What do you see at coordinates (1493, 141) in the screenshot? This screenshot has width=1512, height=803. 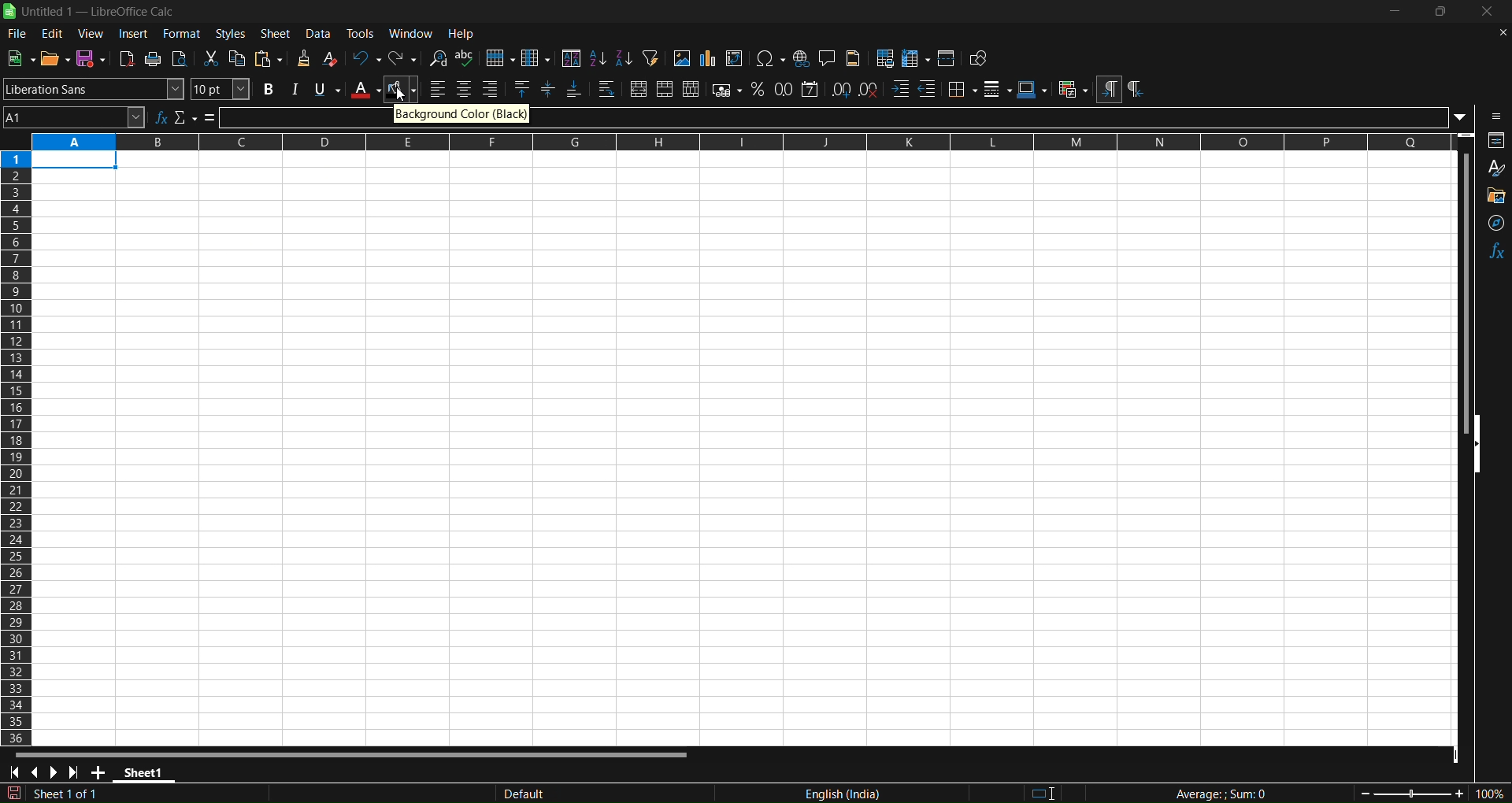 I see `properties` at bounding box center [1493, 141].